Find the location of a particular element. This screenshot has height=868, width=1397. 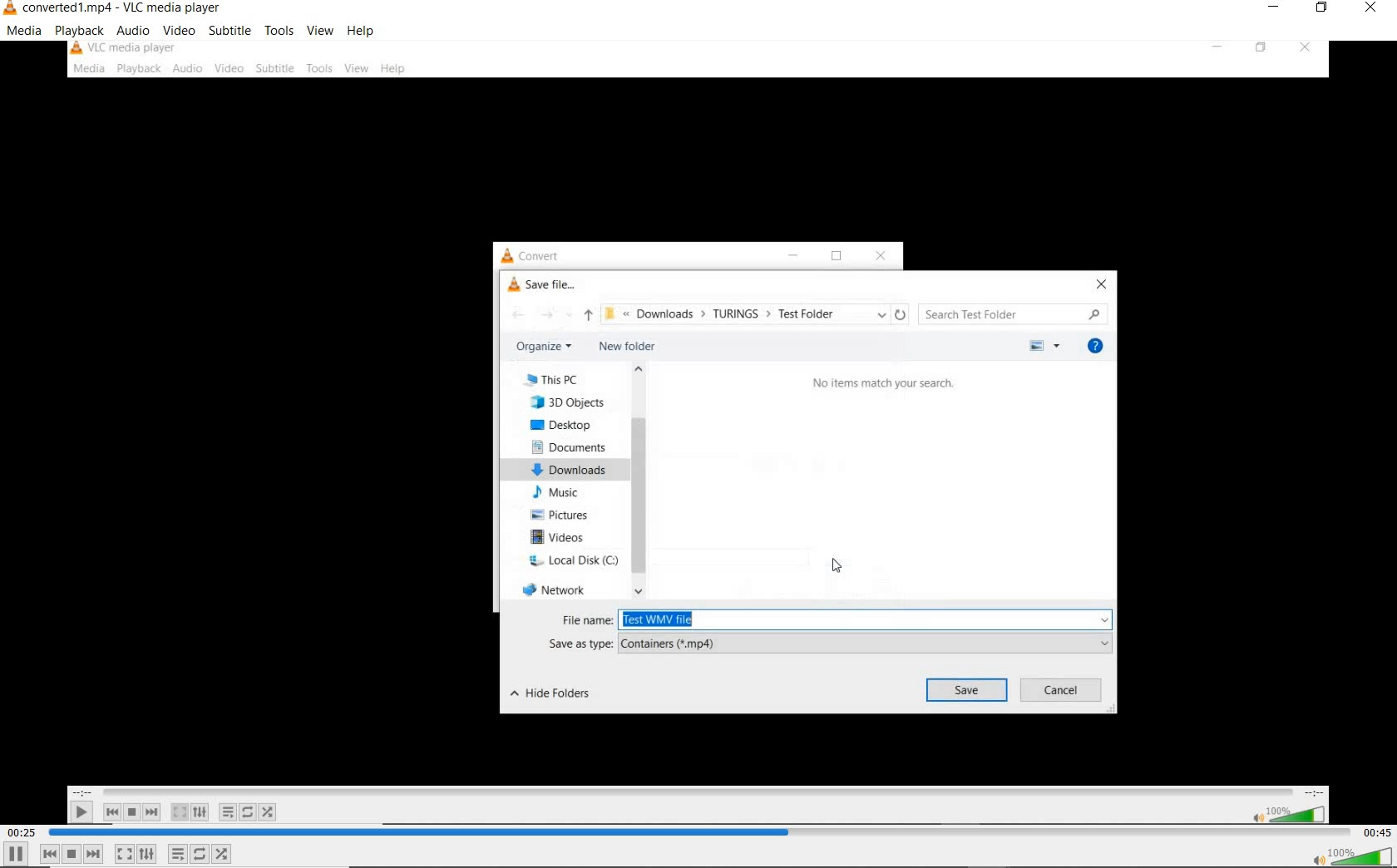

next media is located at coordinates (93, 854).